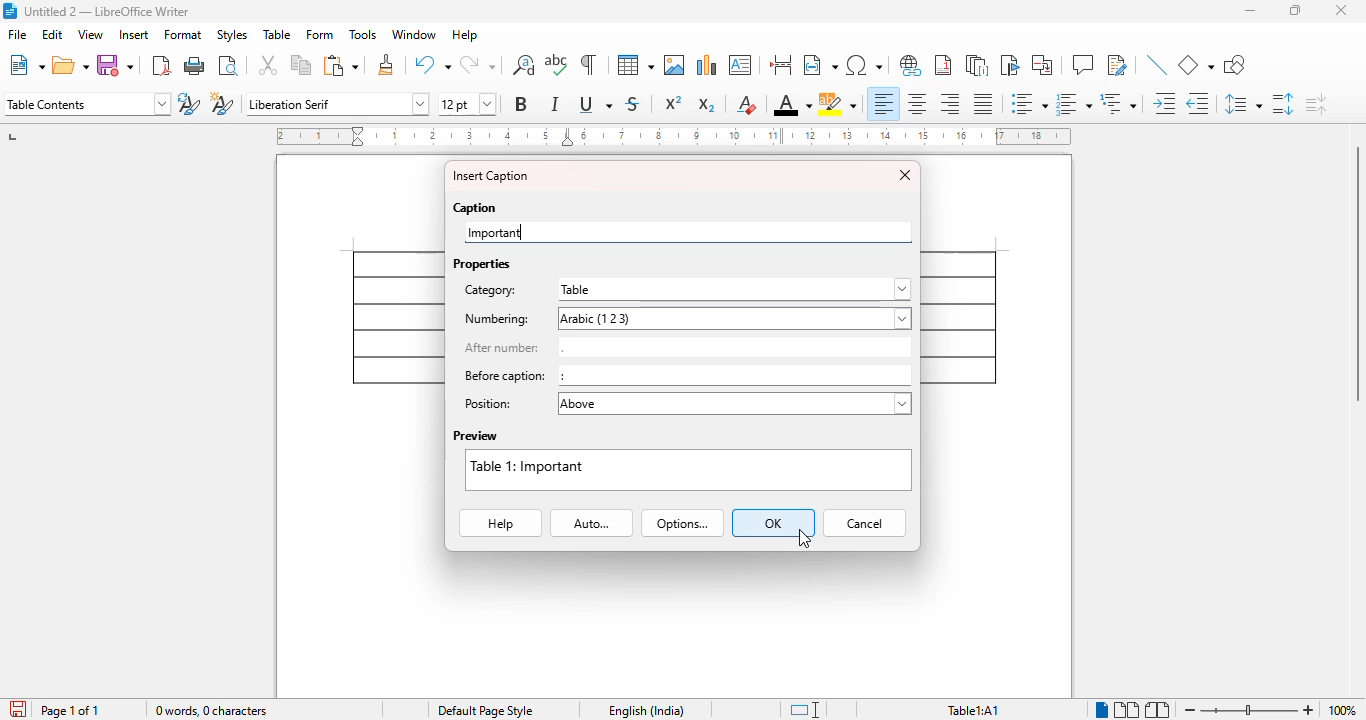 This screenshot has width=1366, height=720. Describe the element at coordinates (973, 711) in the screenshot. I see `table1: A1` at that location.